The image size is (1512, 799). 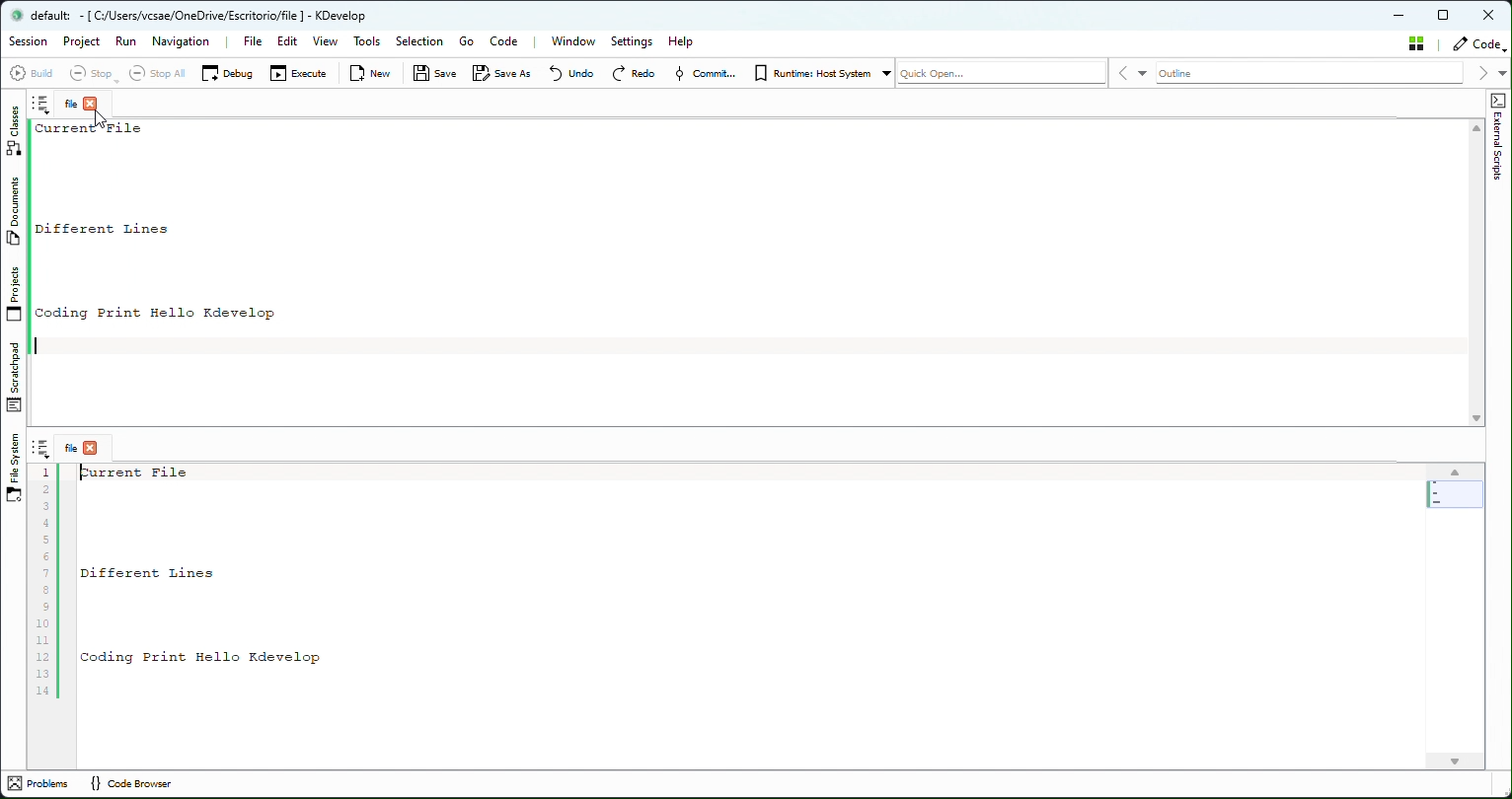 What do you see at coordinates (821, 74) in the screenshot?
I see `Runtime` at bounding box center [821, 74].